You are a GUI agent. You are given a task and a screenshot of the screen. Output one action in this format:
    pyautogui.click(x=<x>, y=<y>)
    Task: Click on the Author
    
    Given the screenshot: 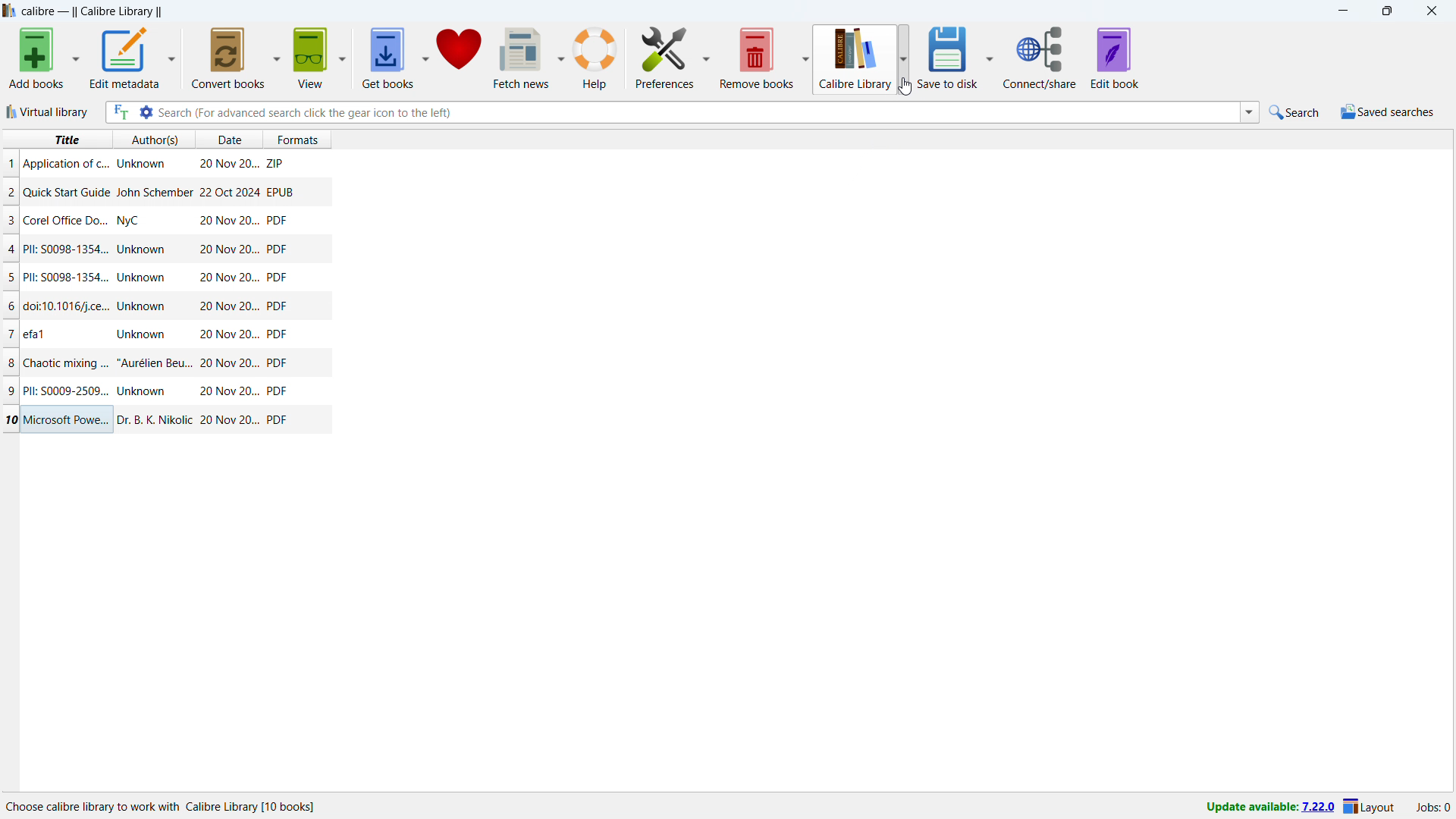 What is the action you would take?
    pyautogui.click(x=141, y=333)
    